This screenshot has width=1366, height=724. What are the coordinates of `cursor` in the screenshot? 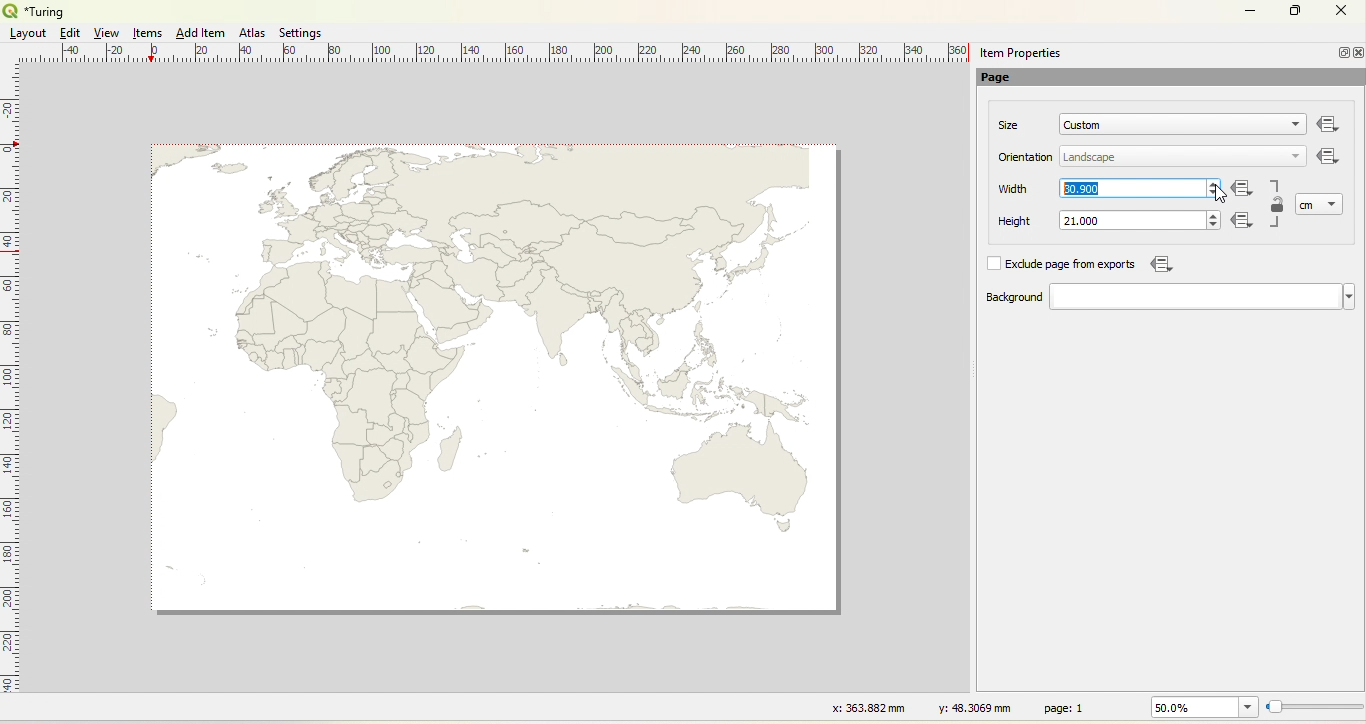 It's located at (1217, 195).